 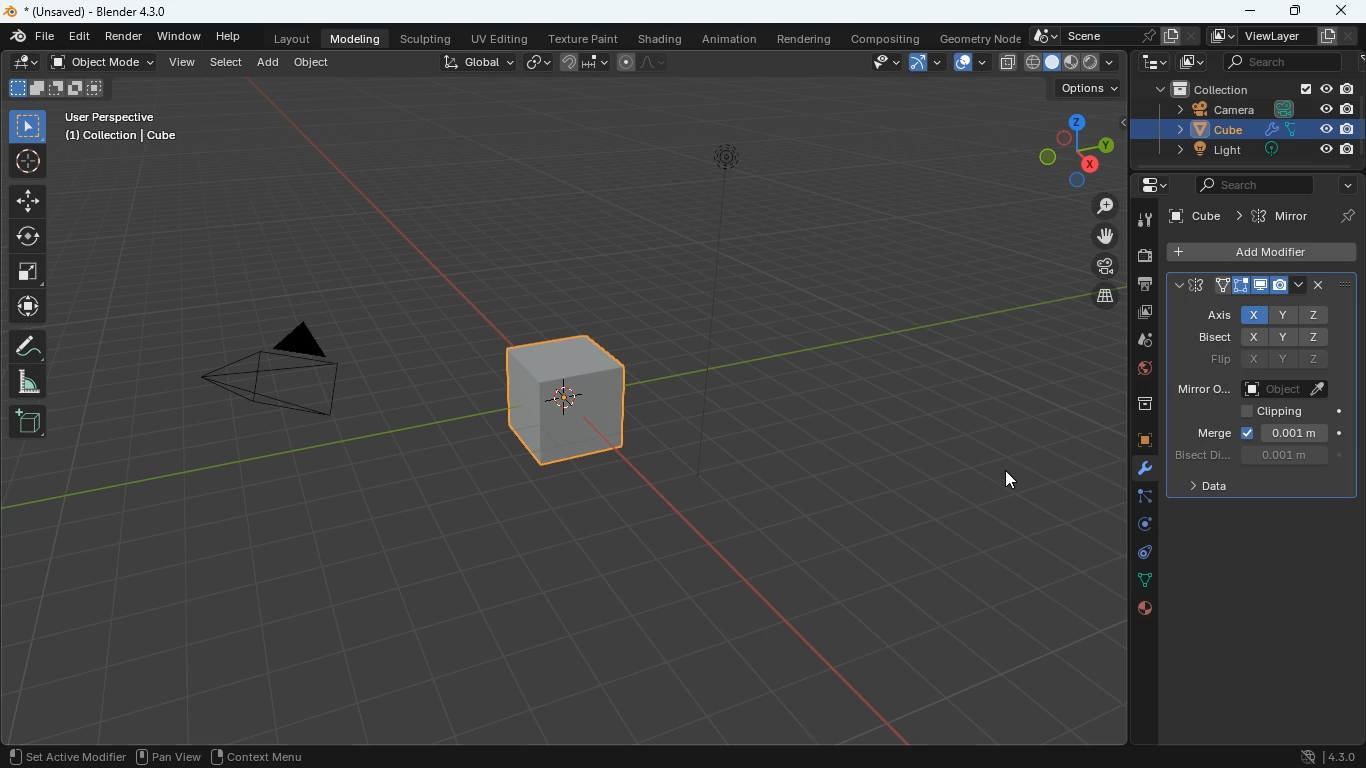 I want to click on edit, so click(x=82, y=37).